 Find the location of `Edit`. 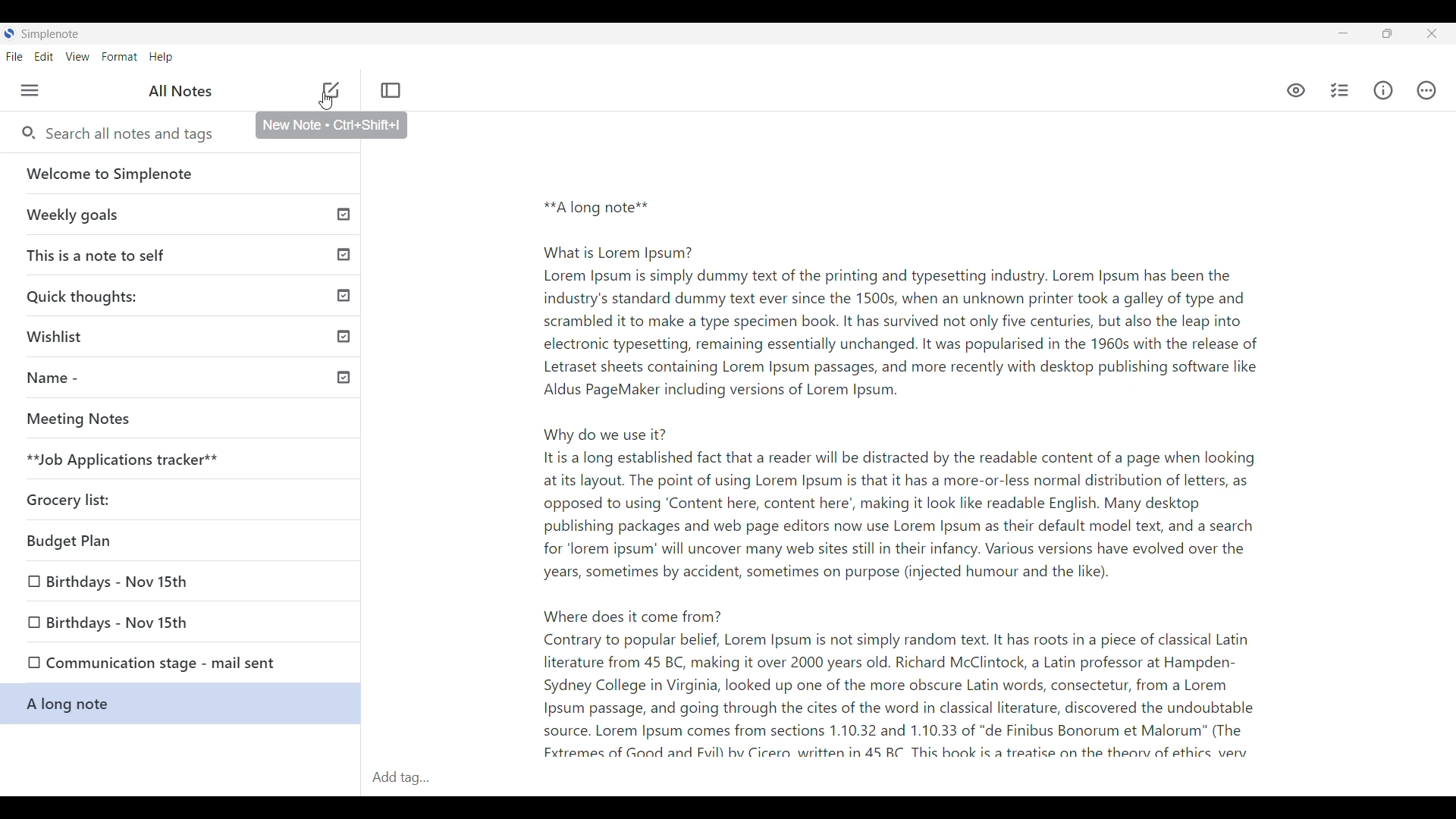

Edit is located at coordinates (44, 57).